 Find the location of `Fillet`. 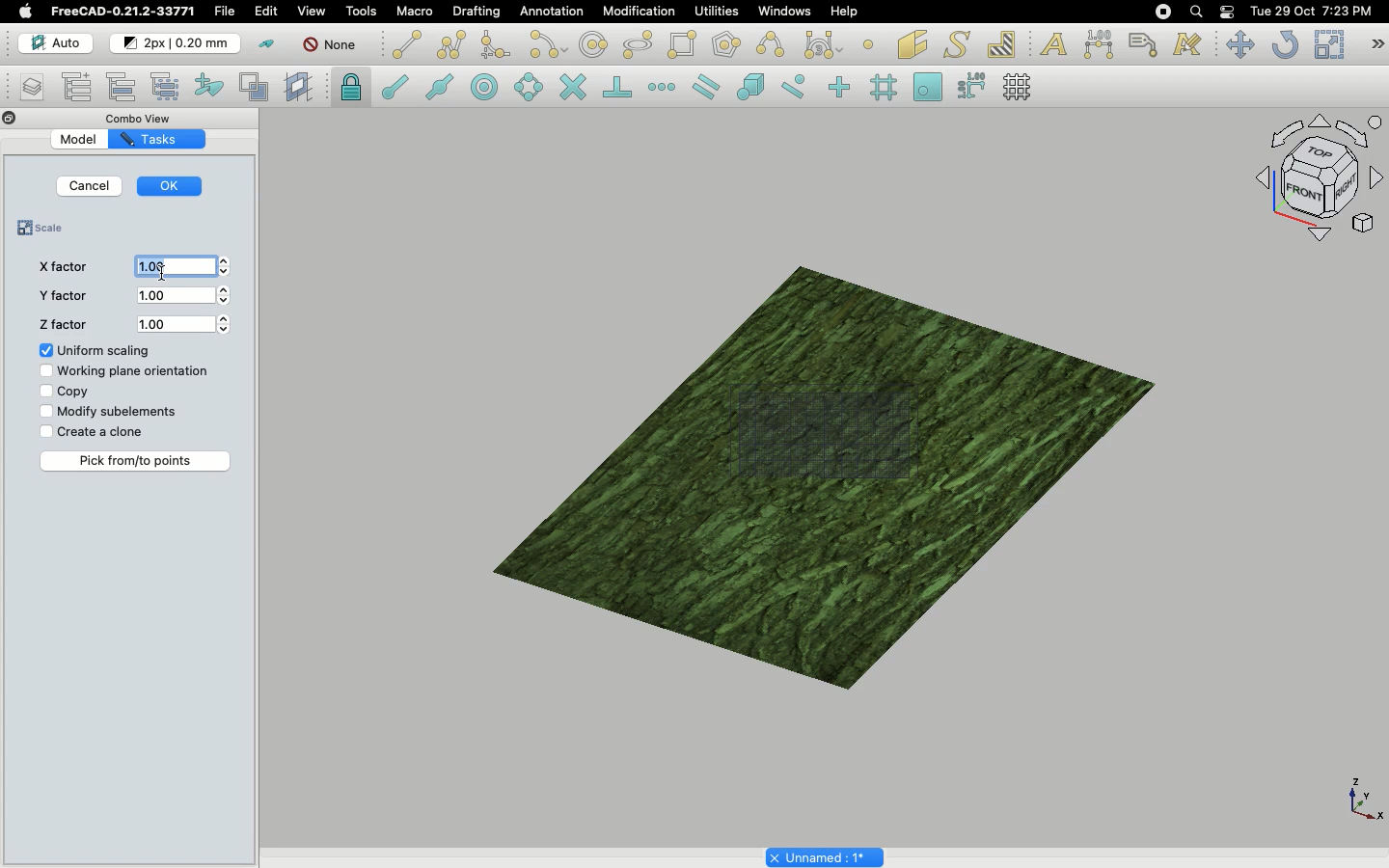

Fillet is located at coordinates (495, 45).